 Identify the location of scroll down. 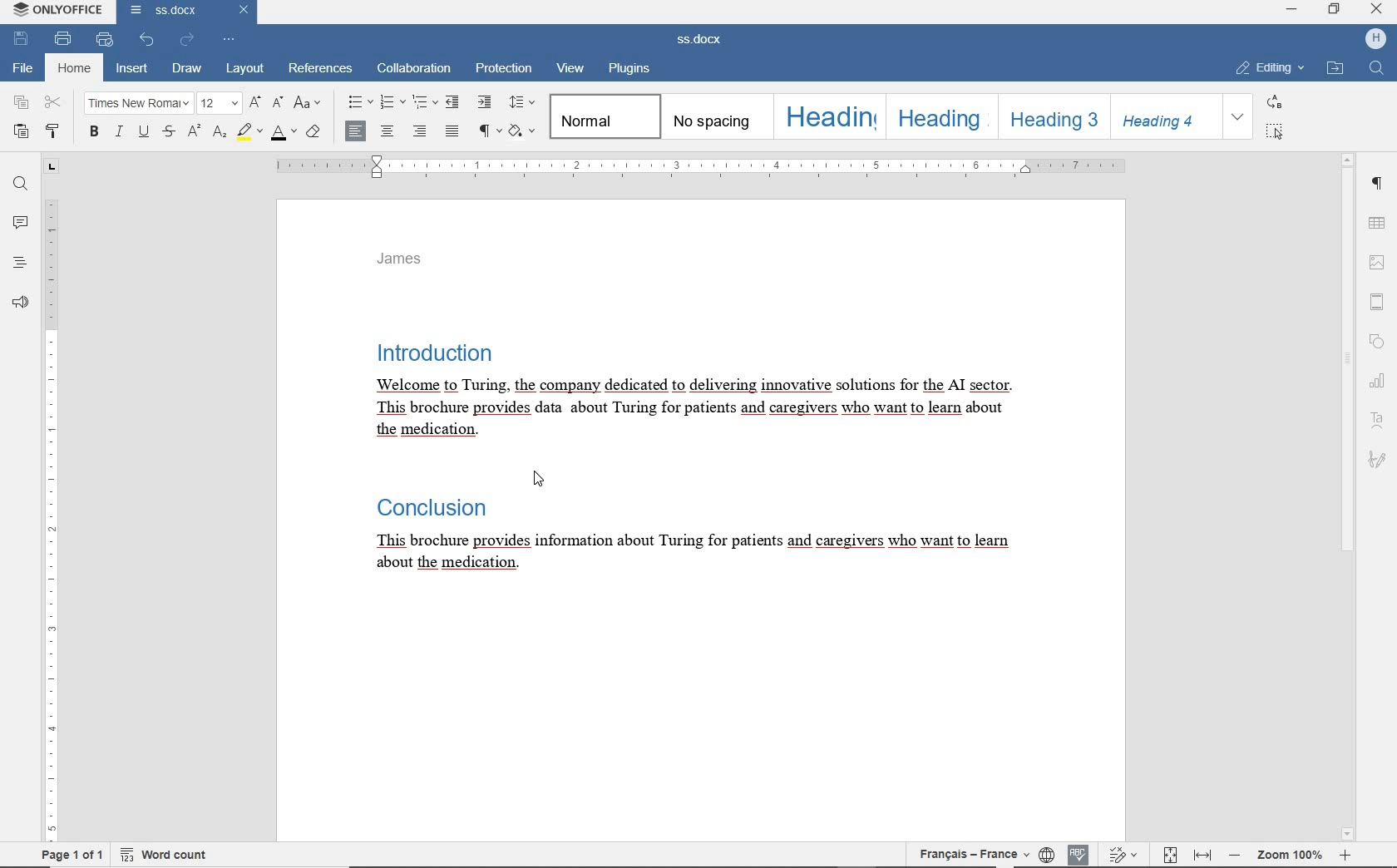
(1348, 836).